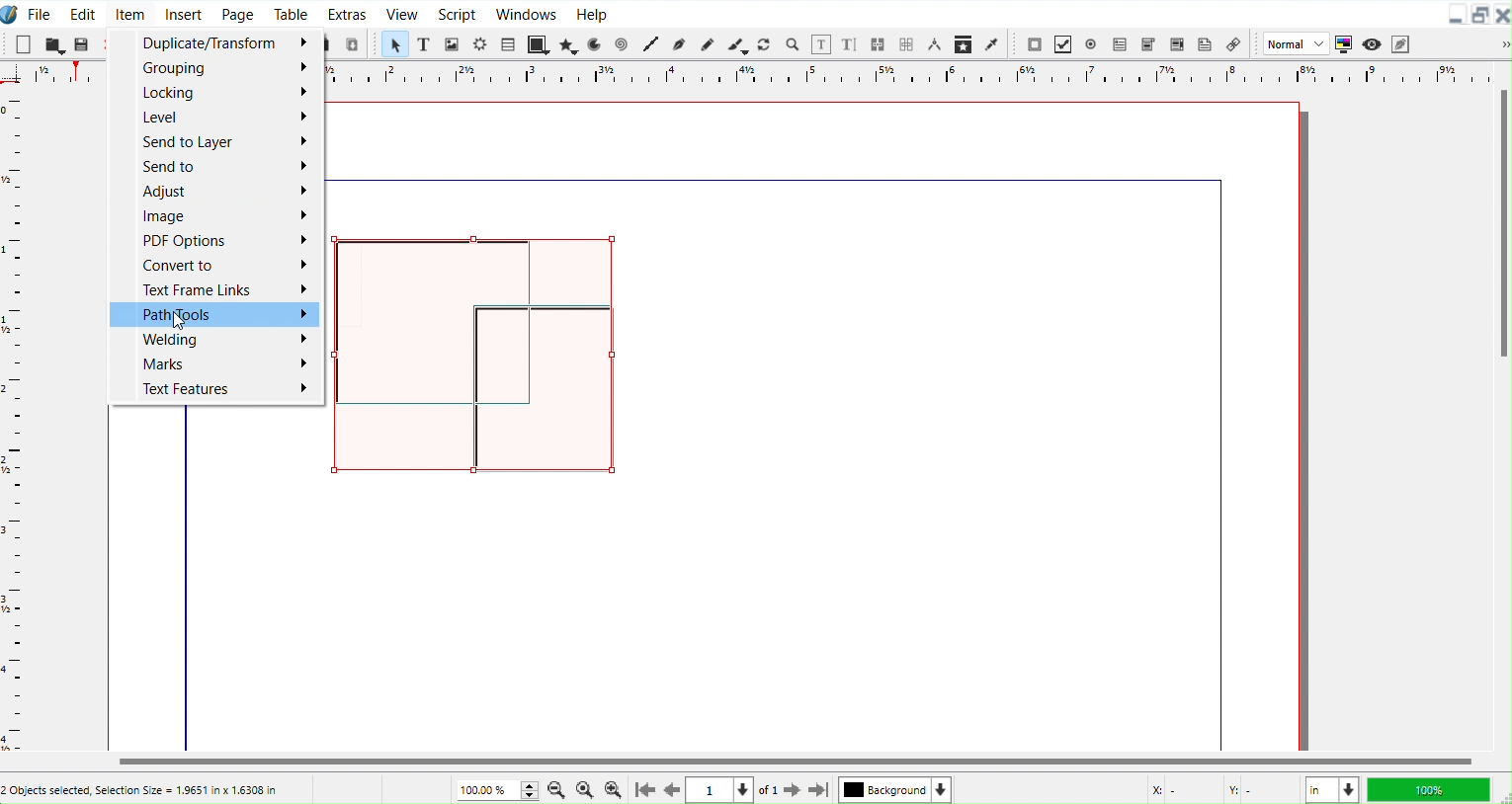 This screenshot has height=804, width=1512. Describe the element at coordinates (236, 13) in the screenshot. I see `Page` at that location.